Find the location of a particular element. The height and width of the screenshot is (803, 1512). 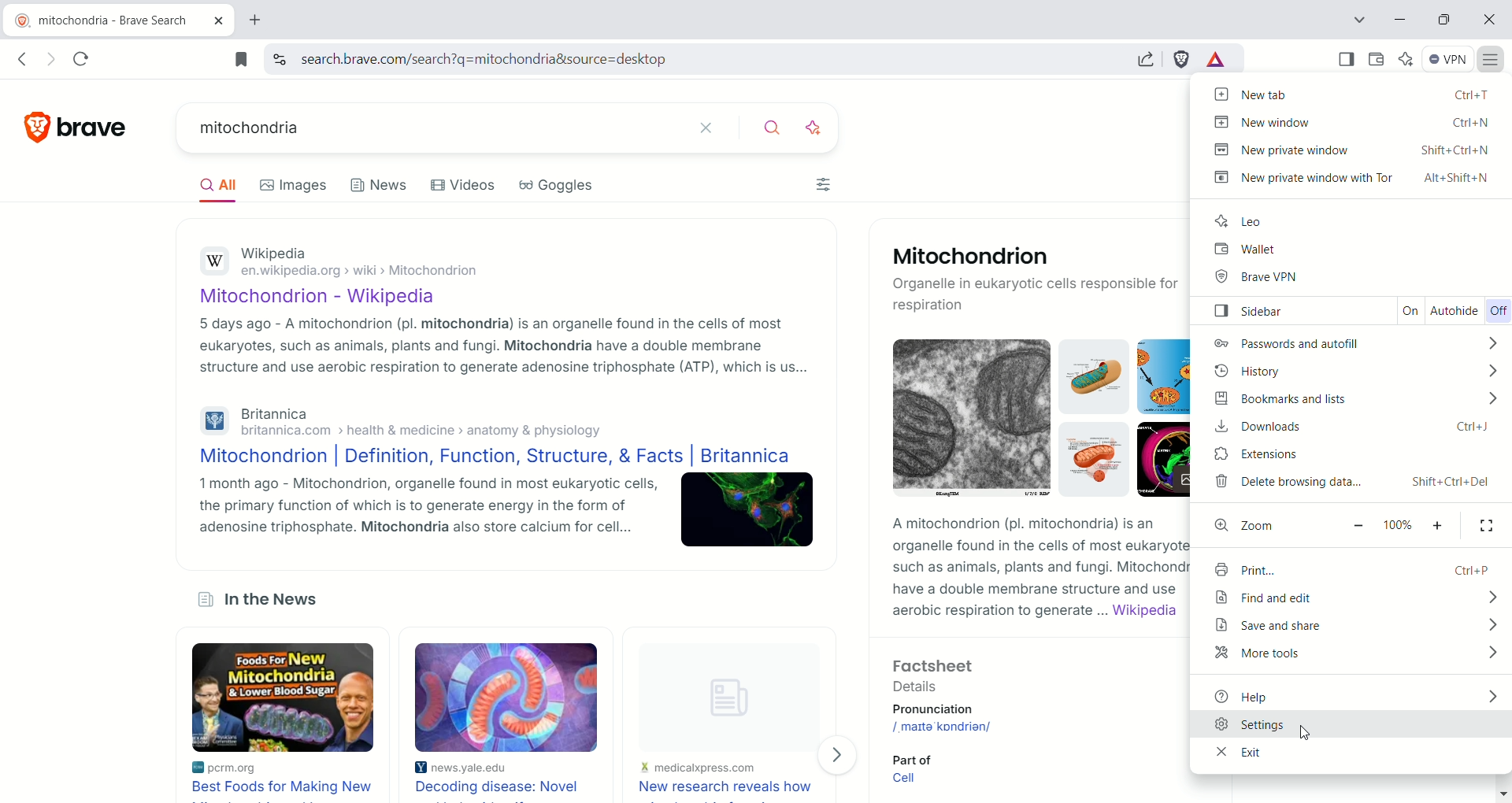

filters is located at coordinates (815, 187).